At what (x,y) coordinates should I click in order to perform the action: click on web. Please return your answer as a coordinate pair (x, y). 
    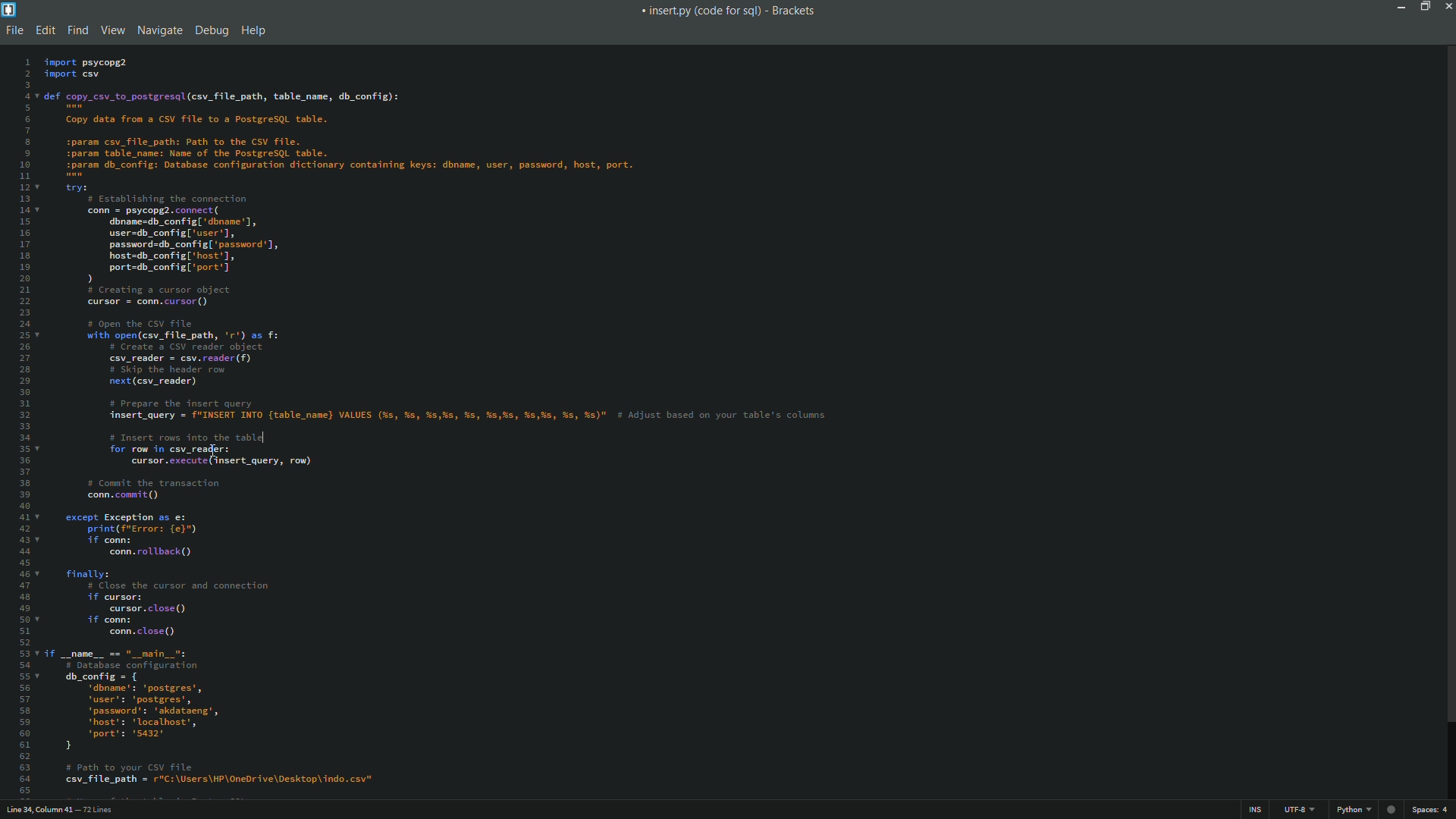
    Looking at the image, I should click on (1393, 808).